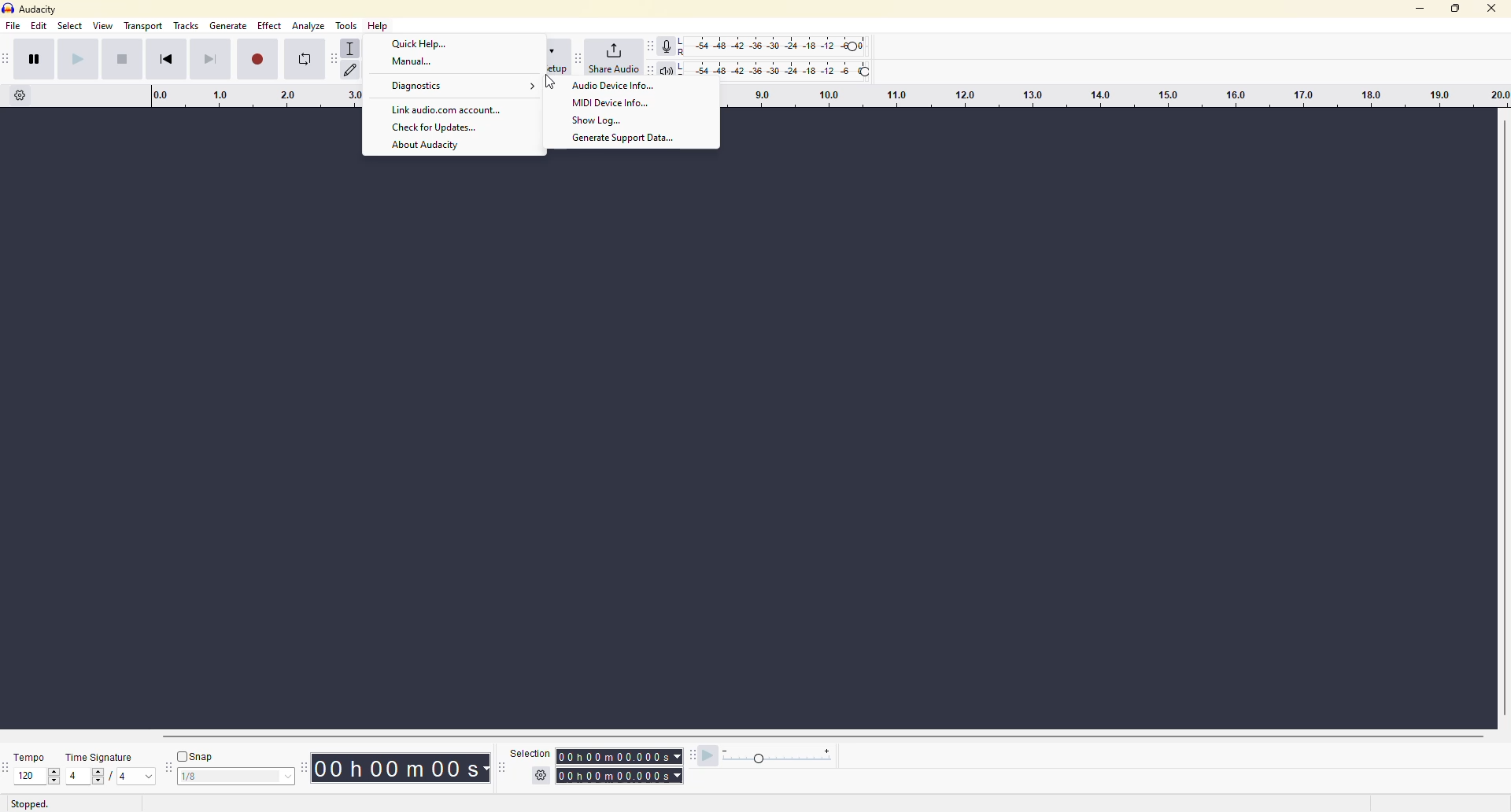 The image size is (1511, 812). Describe the element at coordinates (525, 752) in the screenshot. I see `selection` at that location.